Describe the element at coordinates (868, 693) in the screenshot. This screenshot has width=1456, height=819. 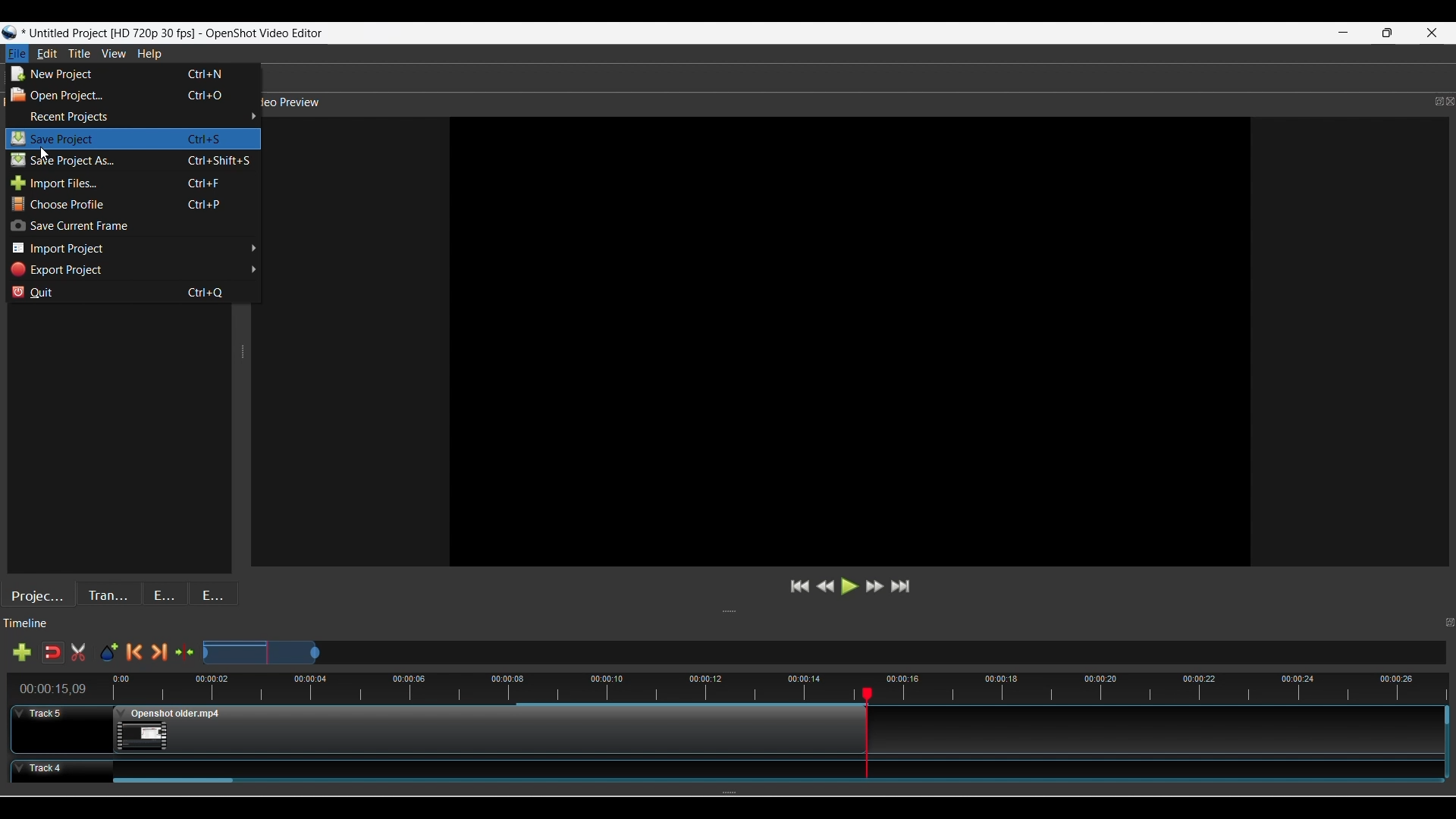
I see `Play head` at that location.